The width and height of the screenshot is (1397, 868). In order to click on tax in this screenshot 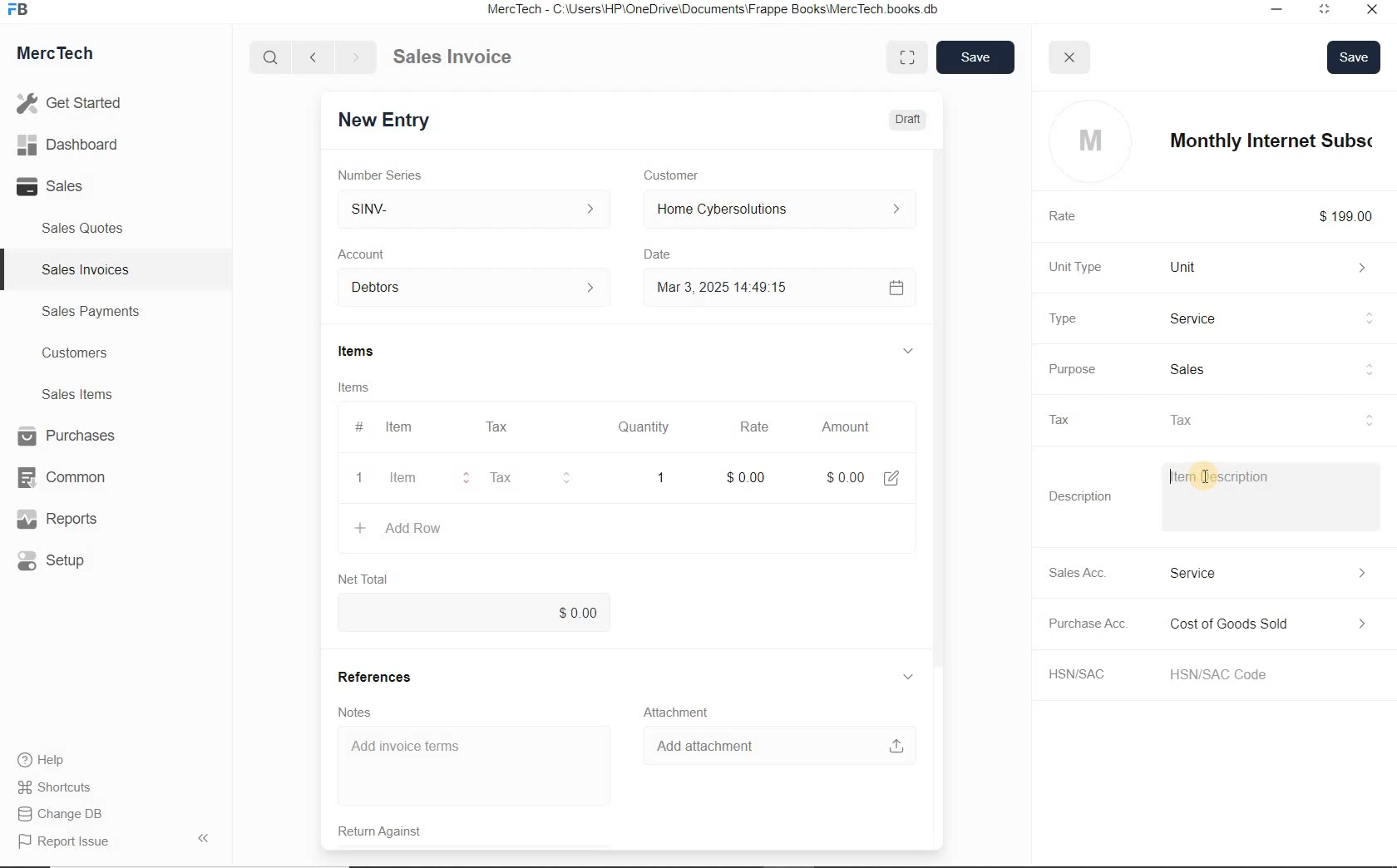, I will do `click(1261, 420)`.